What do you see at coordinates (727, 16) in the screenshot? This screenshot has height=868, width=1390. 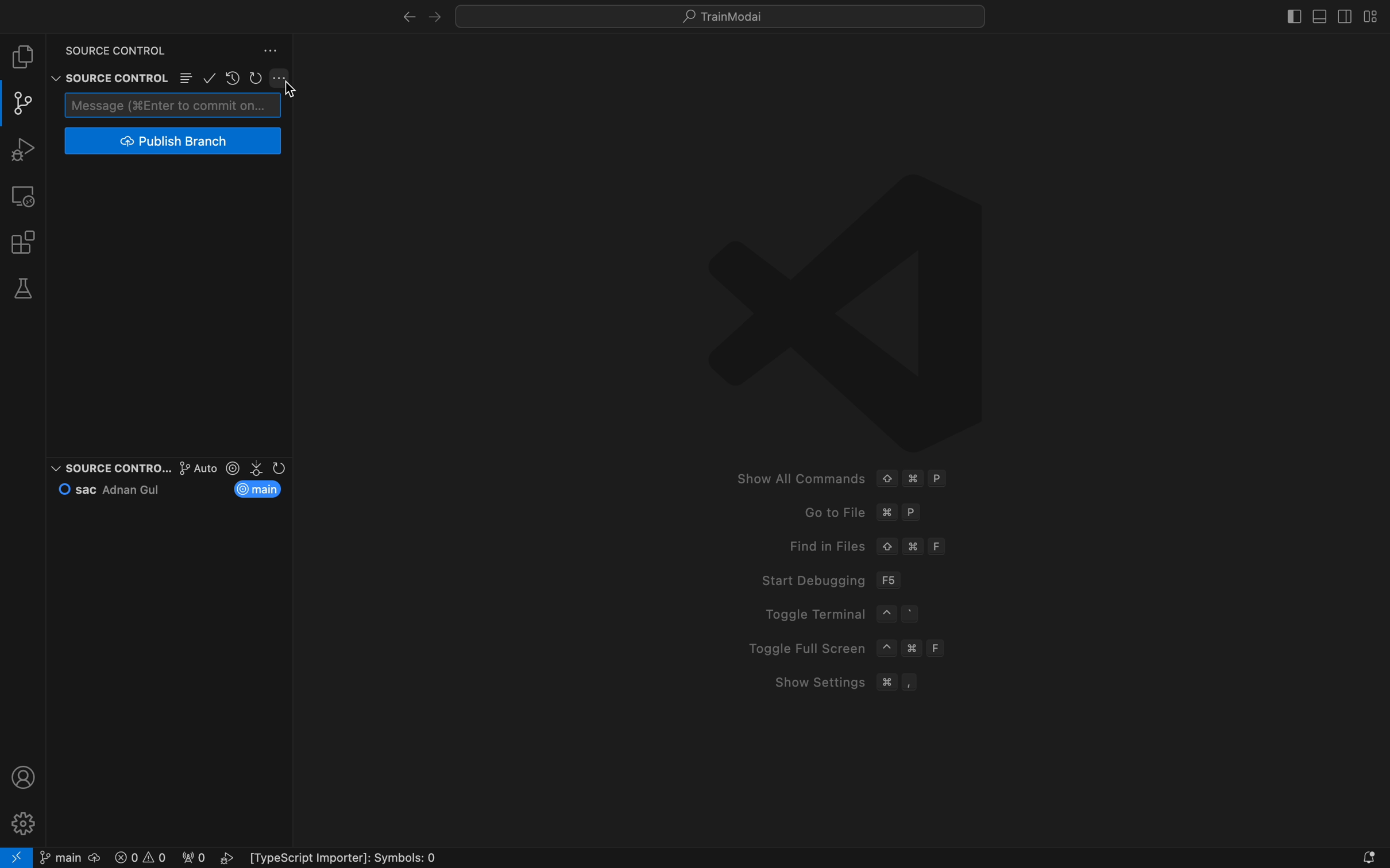 I see `tutorials` at bounding box center [727, 16].